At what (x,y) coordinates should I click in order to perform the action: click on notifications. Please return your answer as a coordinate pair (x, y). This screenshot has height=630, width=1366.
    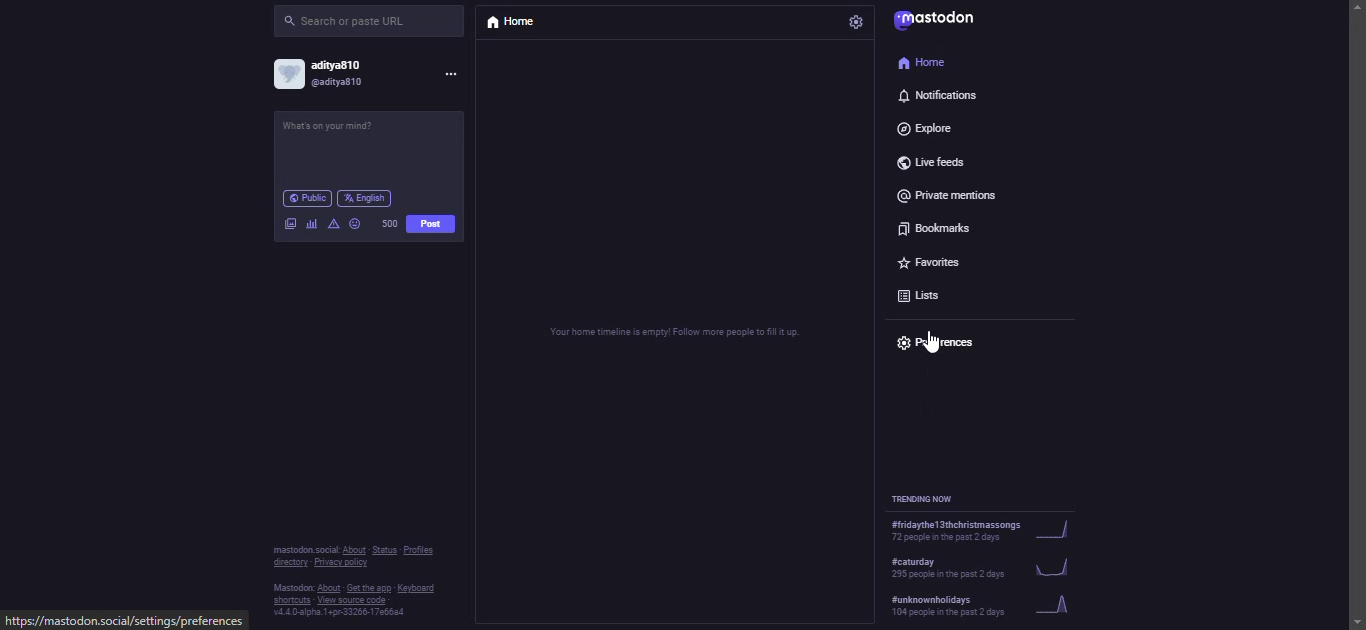
    Looking at the image, I should click on (939, 95).